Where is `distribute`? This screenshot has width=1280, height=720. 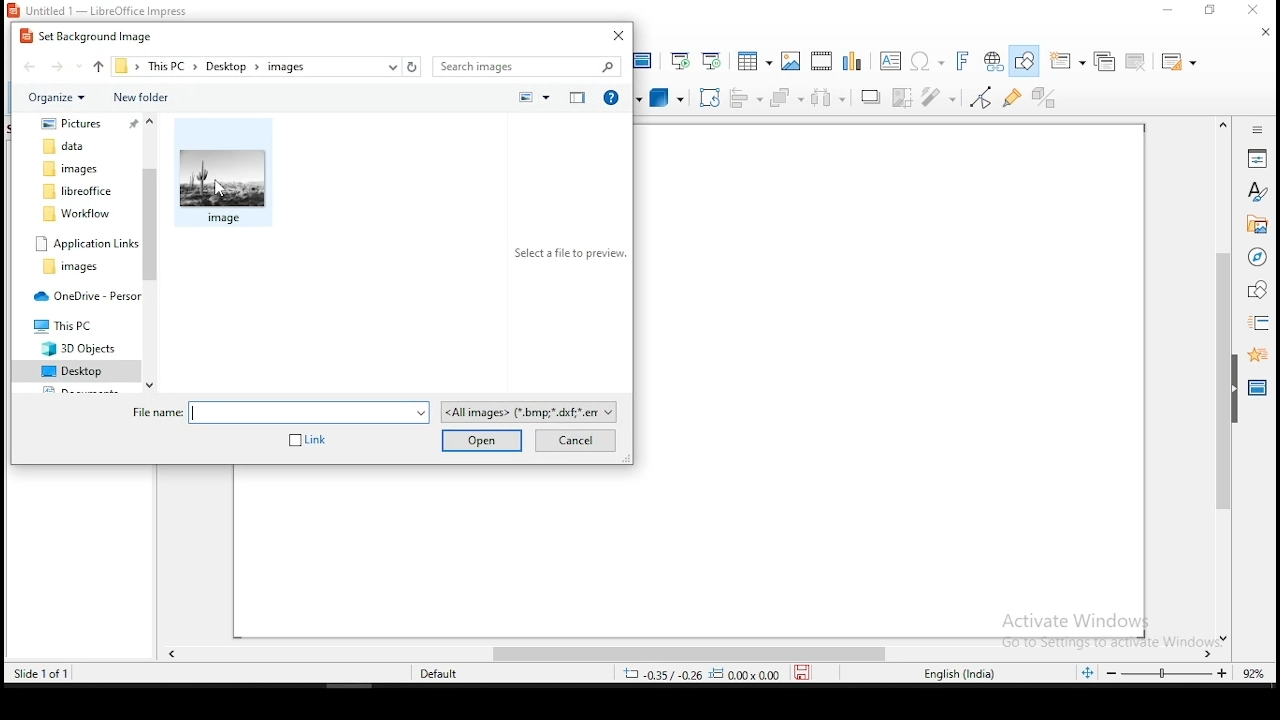
distribute is located at coordinates (829, 99).